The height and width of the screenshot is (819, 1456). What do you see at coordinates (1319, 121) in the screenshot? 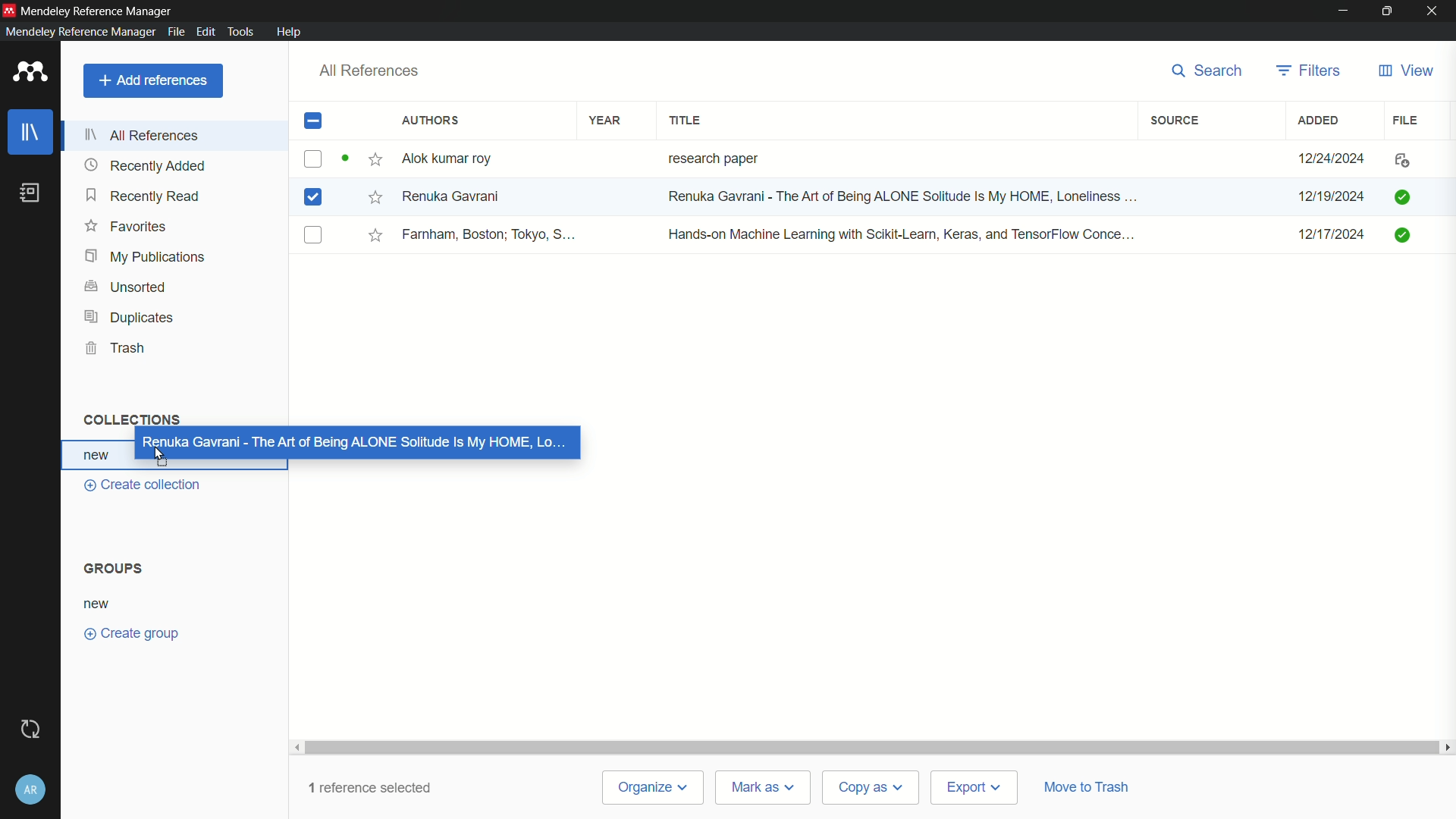
I see `added` at bounding box center [1319, 121].